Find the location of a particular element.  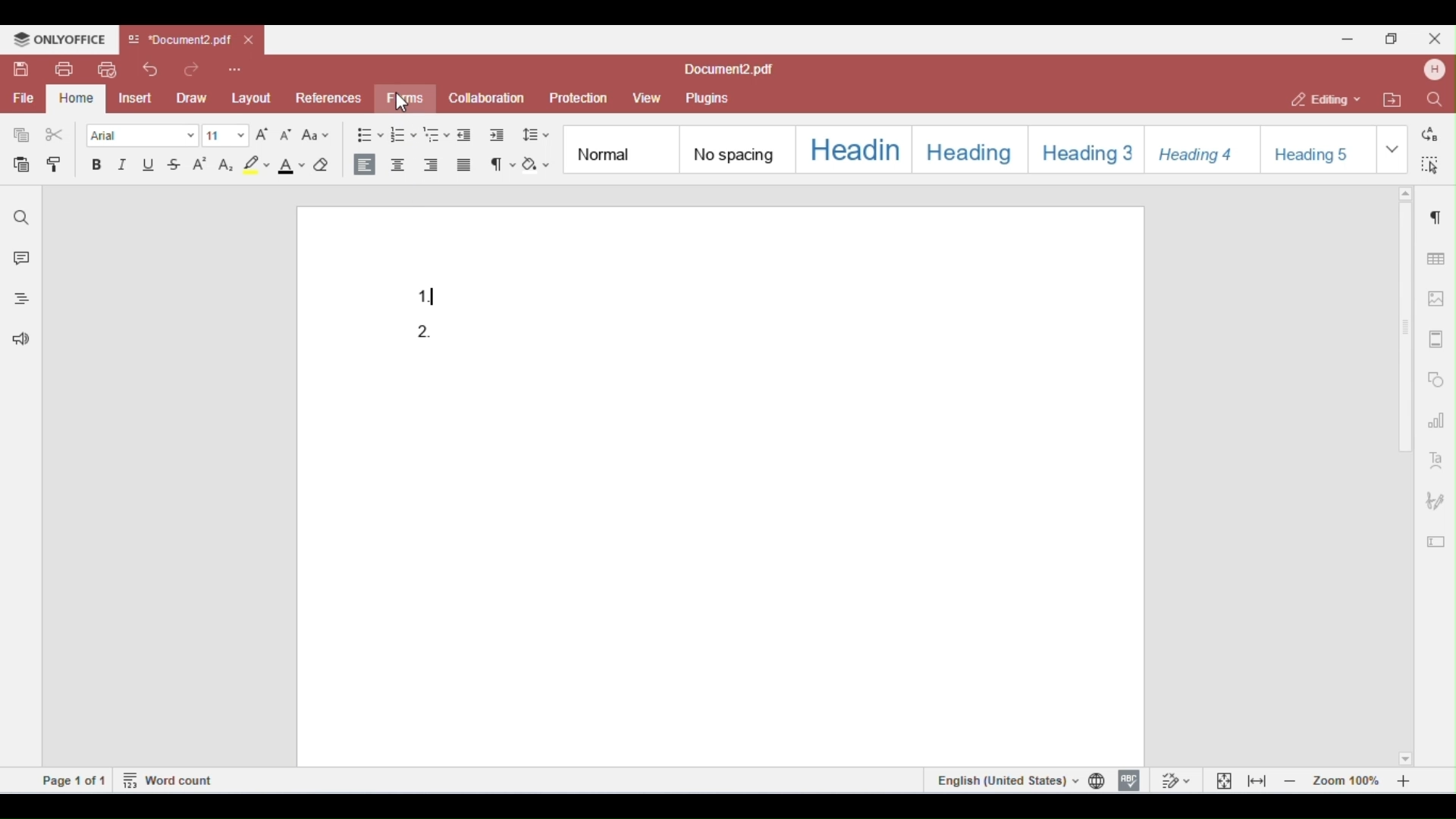

copy style is located at coordinates (58, 166).